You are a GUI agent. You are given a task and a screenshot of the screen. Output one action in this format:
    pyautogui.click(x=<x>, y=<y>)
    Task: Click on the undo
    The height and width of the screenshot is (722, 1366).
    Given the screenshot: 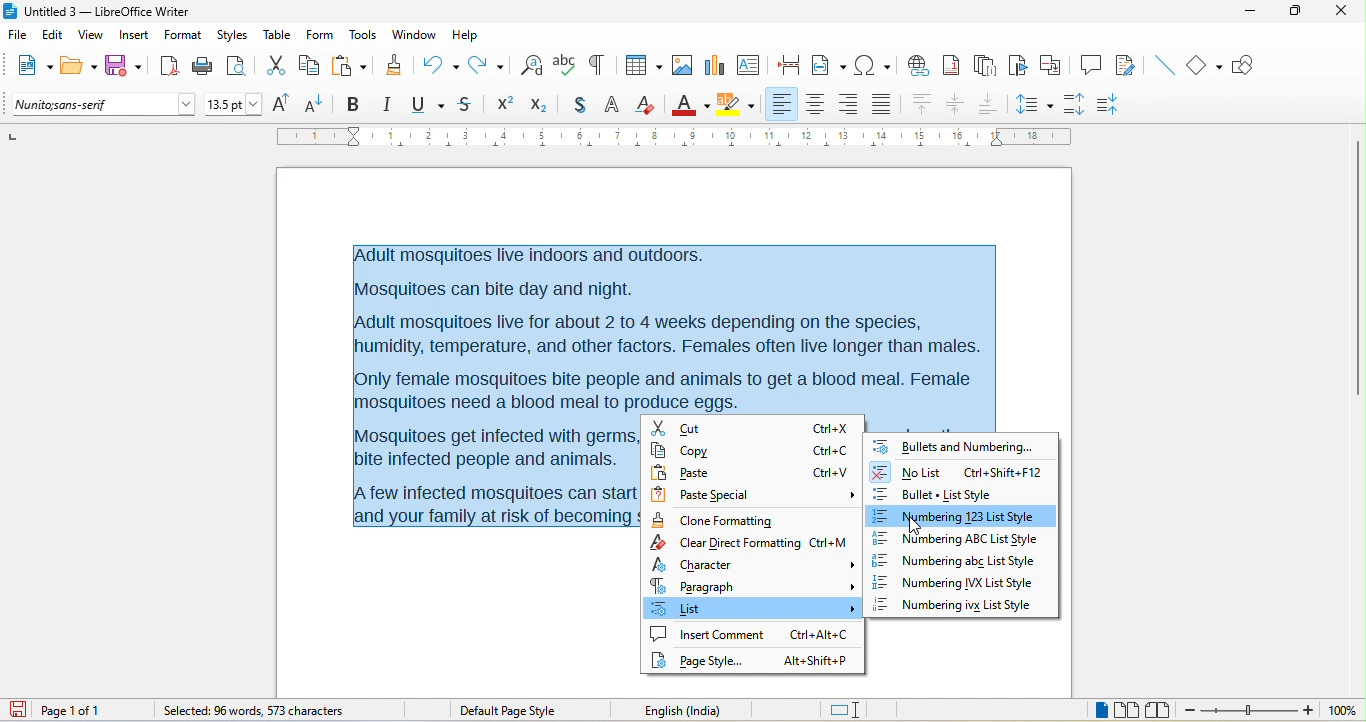 What is the action you would take?
    pyautogui.click(x=441, y=63)
    